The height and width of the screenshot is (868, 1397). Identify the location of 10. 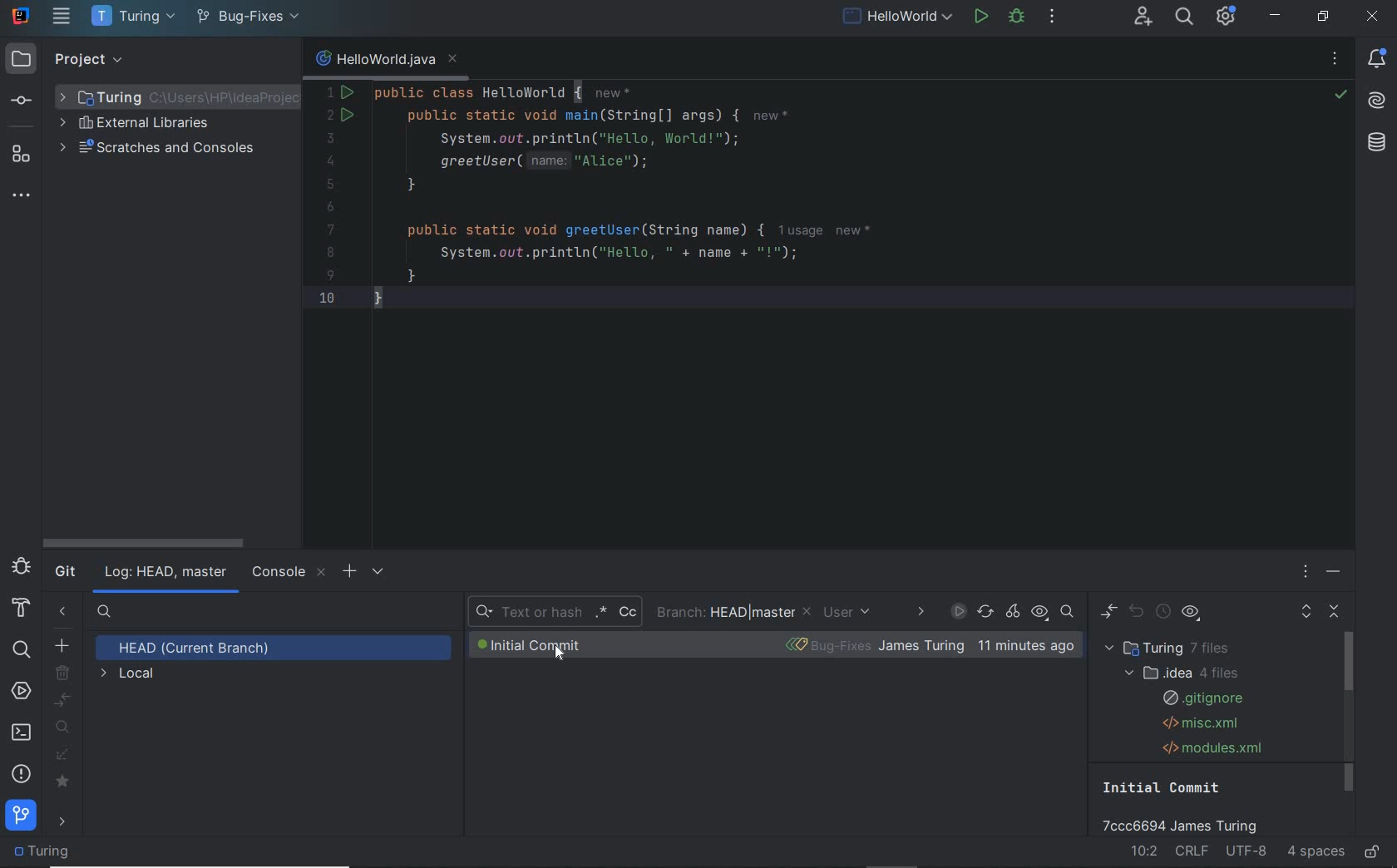
(327, 297).